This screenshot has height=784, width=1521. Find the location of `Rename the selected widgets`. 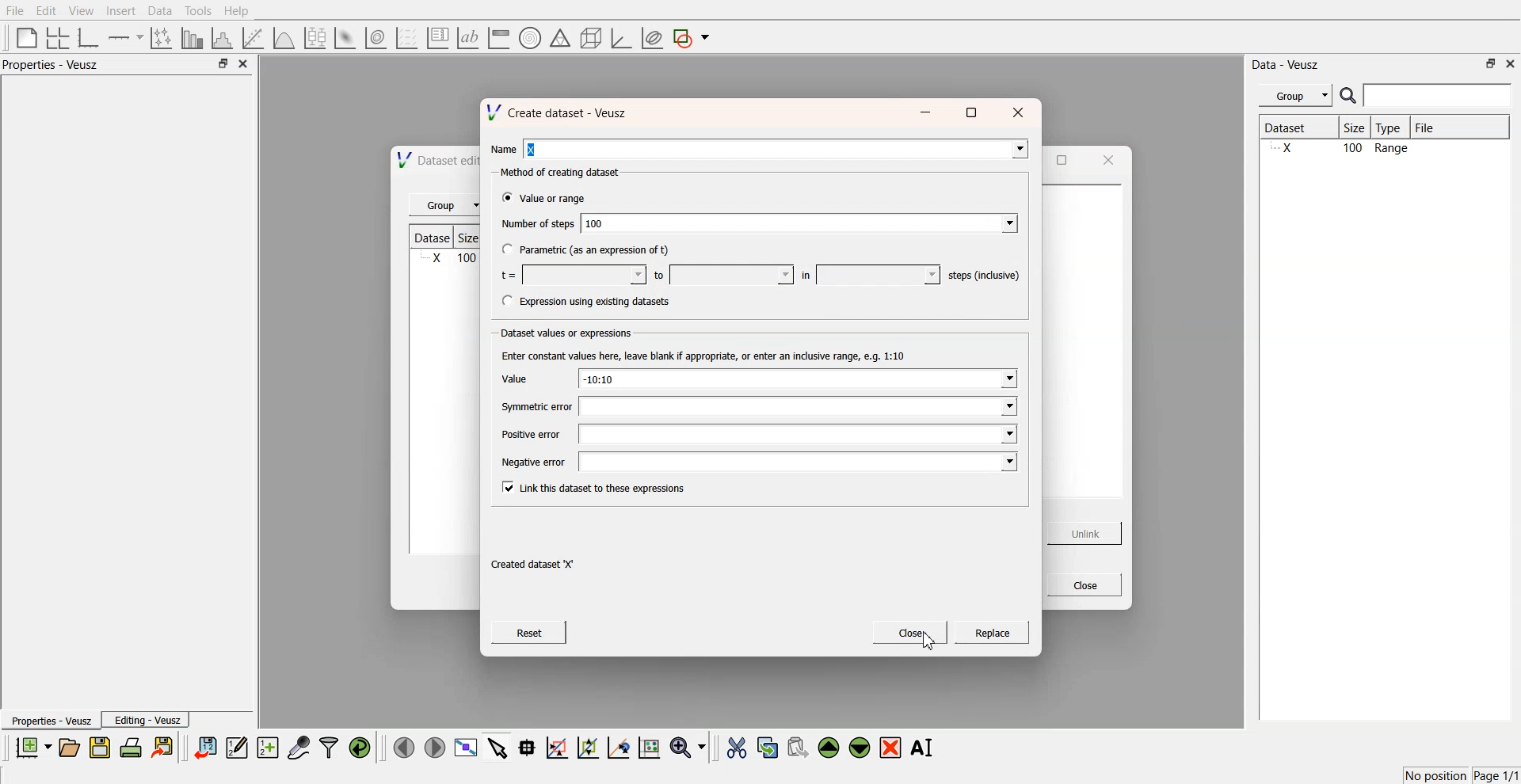

Rename the selected widgets is located at coordinates (925, 748).